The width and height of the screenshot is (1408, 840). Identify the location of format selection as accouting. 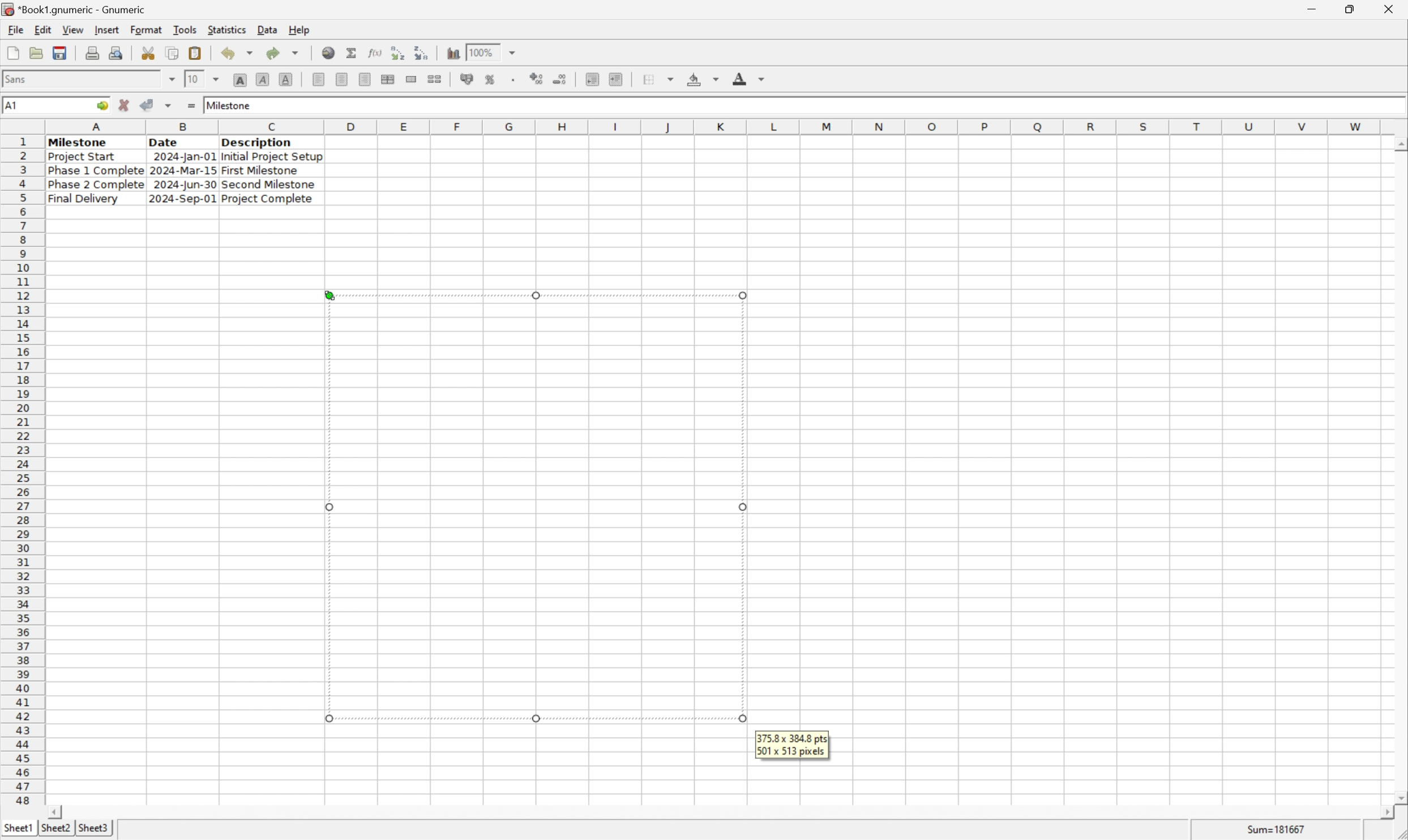
(468, 79).